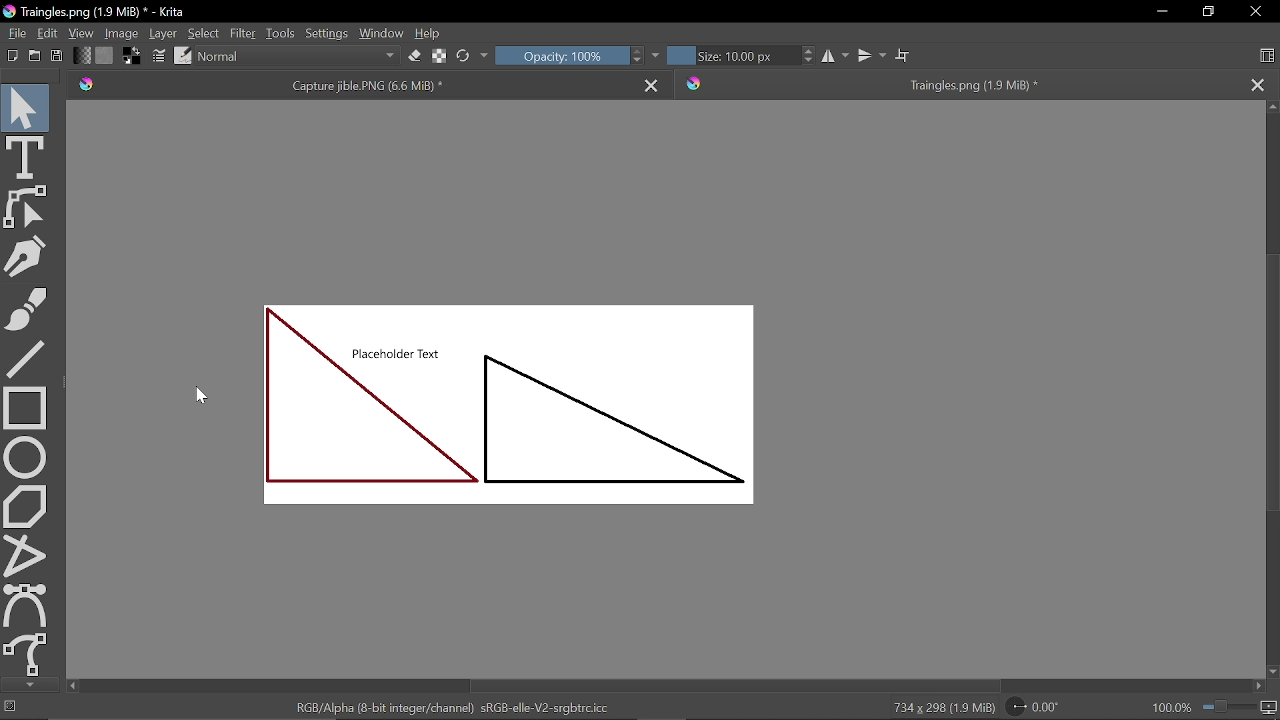  What do you see at coordinates (117, 12) in the screenshot?
I see `Triangles.png (960.0 KiB)` at bounding box center [117, 12].